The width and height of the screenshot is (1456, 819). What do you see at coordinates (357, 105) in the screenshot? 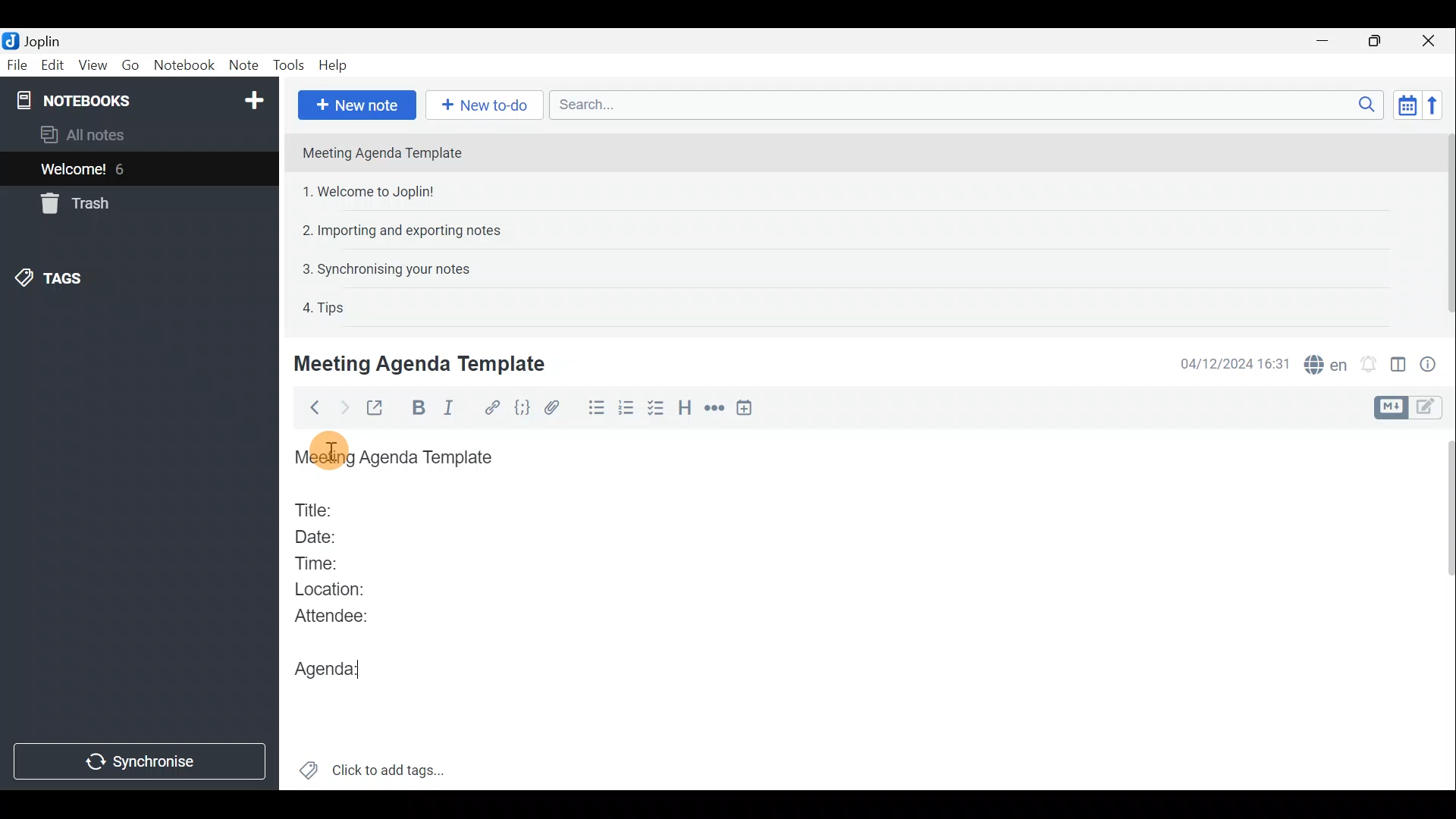
I see `New note` at bounding box center [357, 105].